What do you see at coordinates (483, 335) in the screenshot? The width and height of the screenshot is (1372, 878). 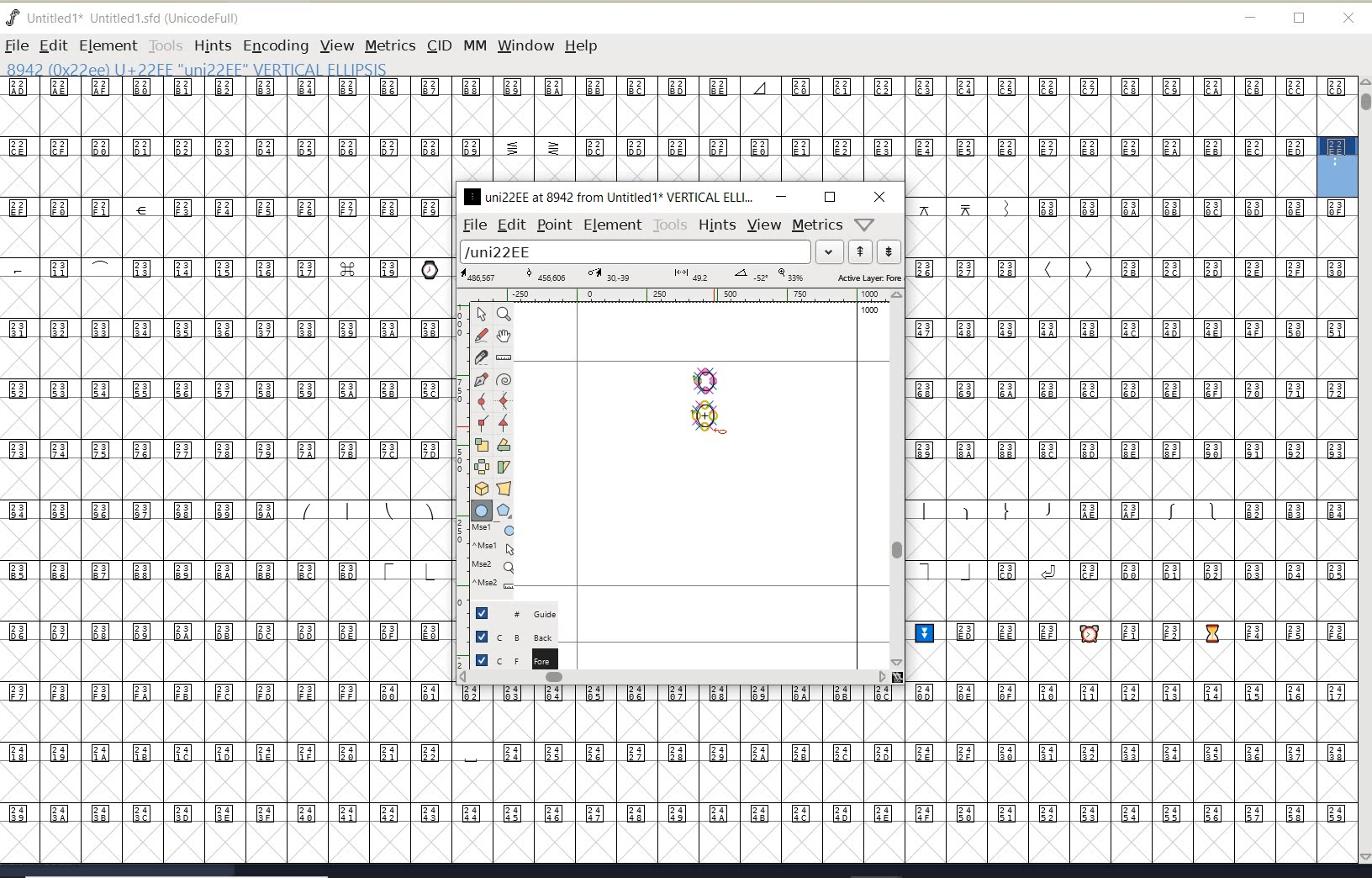 I see `draw a freehand curve` at bounding box center [483, 335].